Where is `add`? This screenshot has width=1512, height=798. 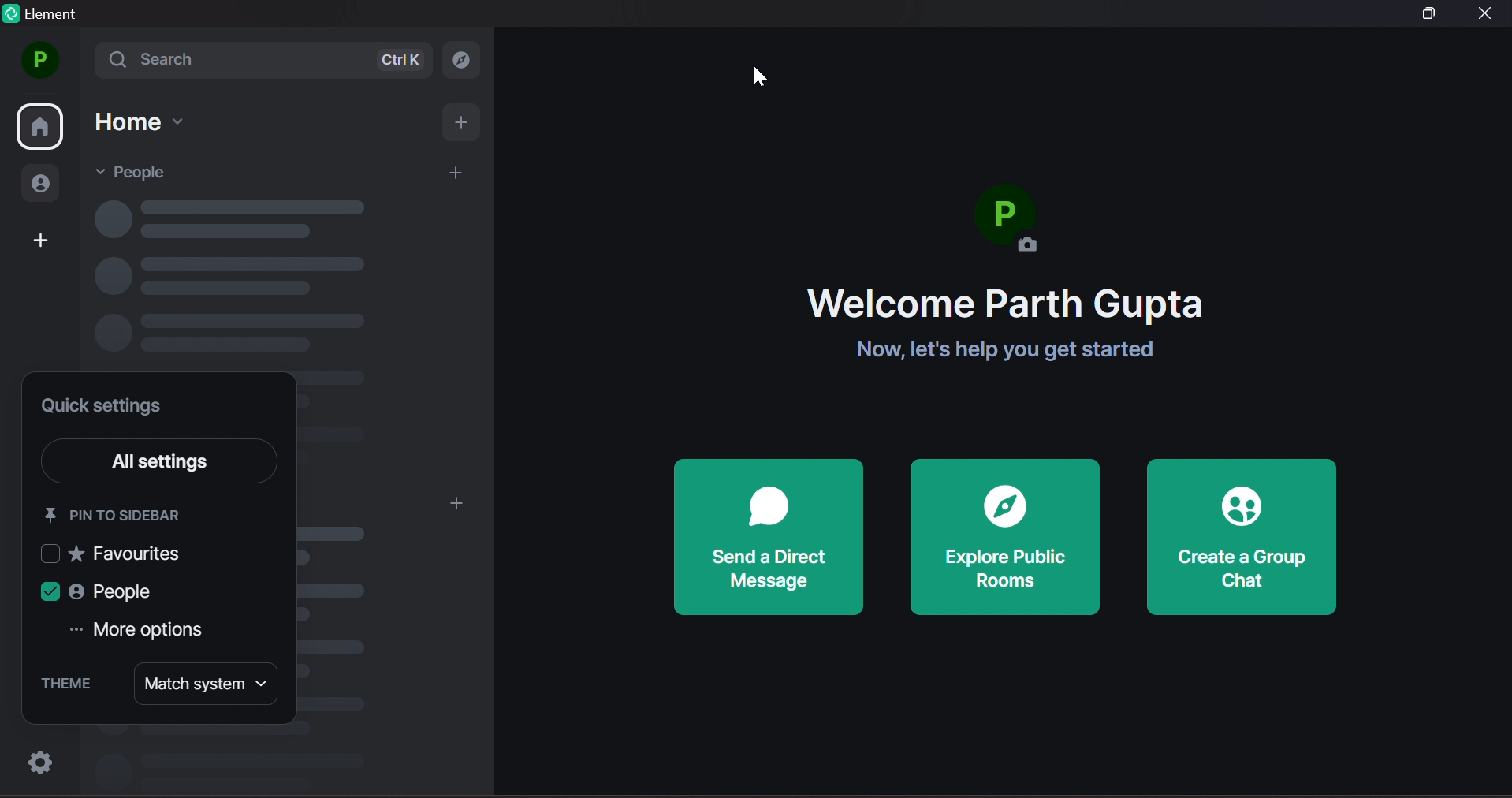
add is located at coordinates (457, 174).